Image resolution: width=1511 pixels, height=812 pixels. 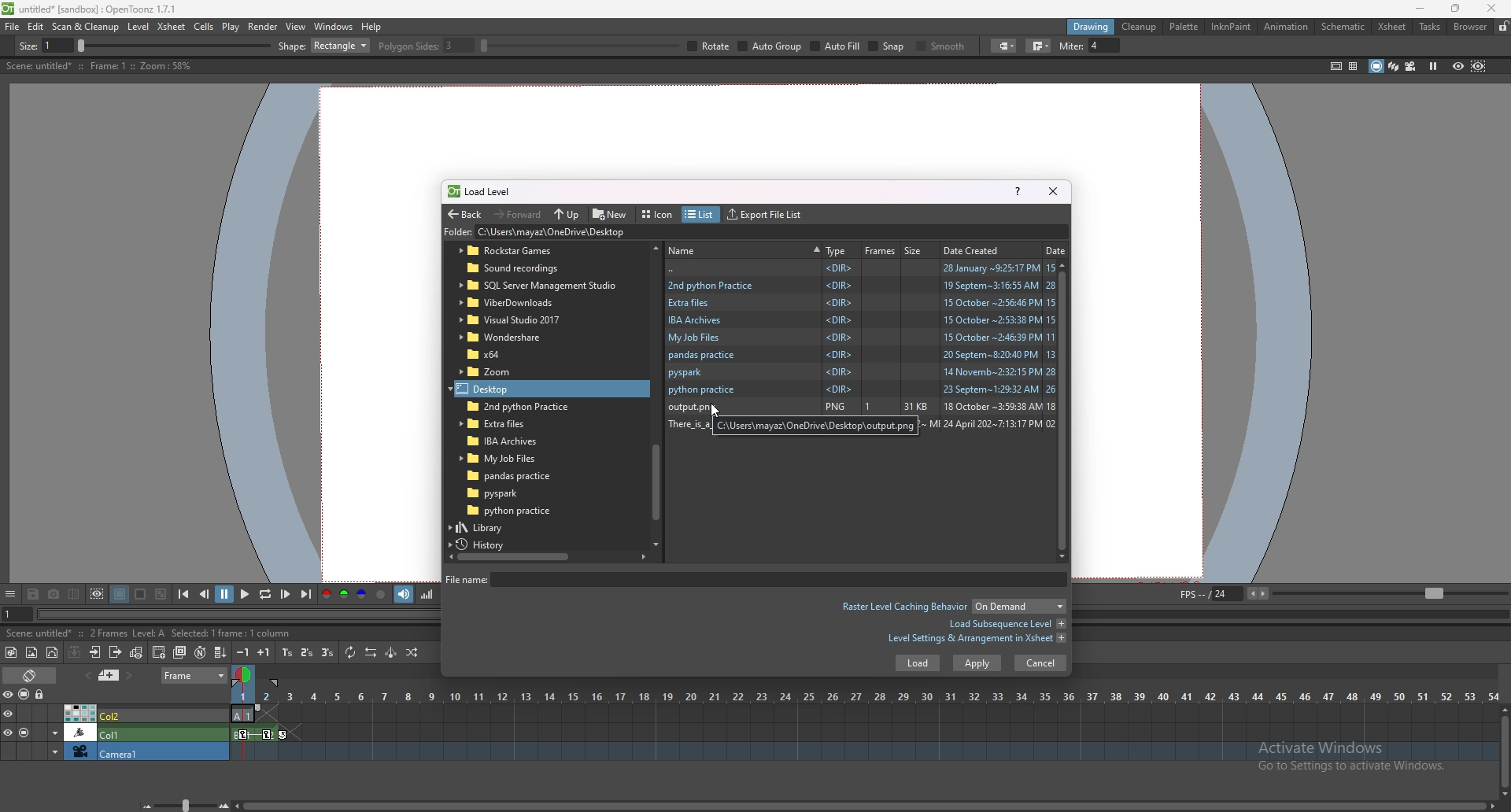 I want to click on histogram, so click(x=427, y=594).